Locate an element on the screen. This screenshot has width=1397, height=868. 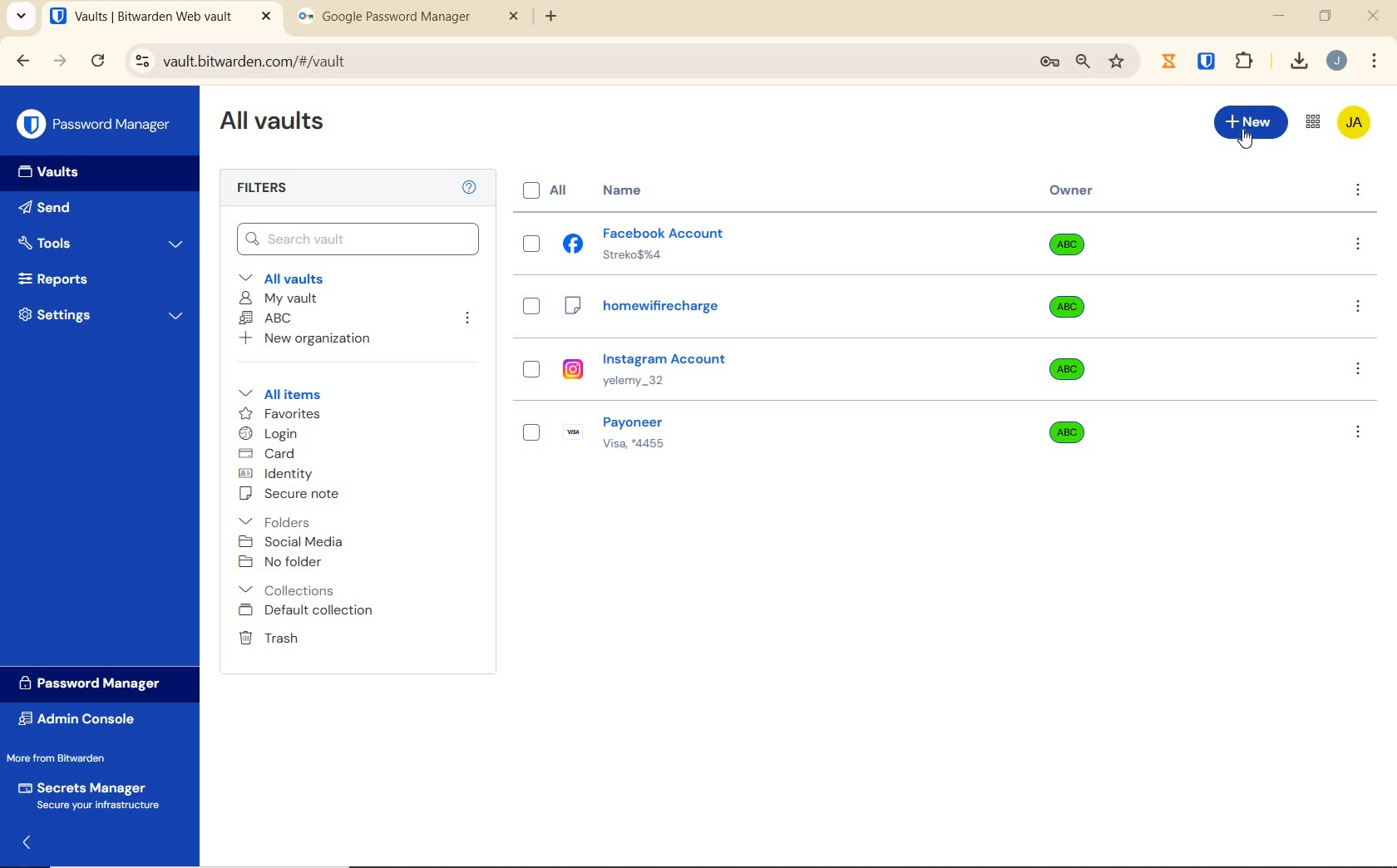
option is located at coordinates (1361, 371).